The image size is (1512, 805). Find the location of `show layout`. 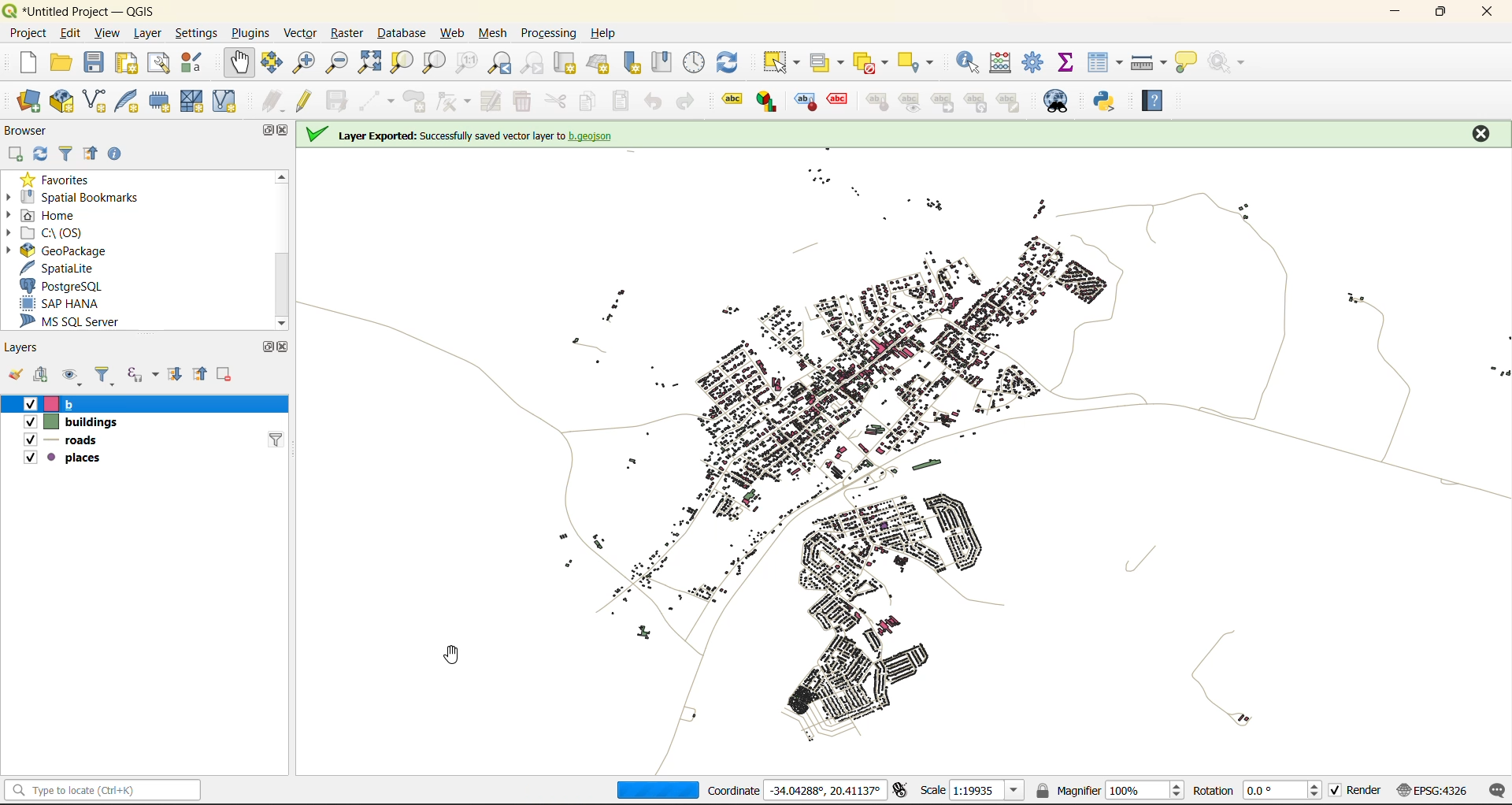

show layout is located at coordinates (160, 63).